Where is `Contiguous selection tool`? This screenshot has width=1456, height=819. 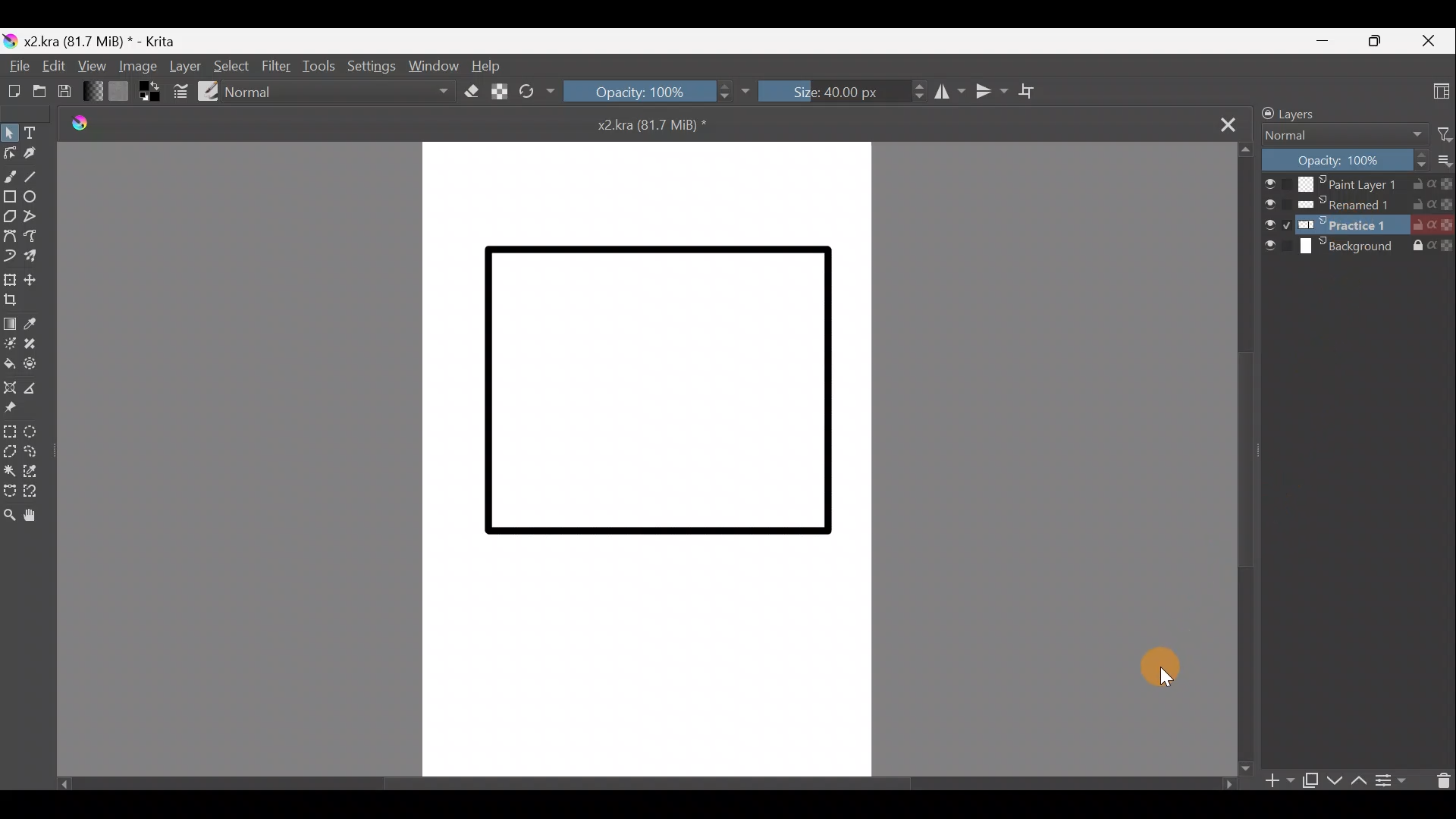
Contiguous selection tool is located at coordinates (9, 468).